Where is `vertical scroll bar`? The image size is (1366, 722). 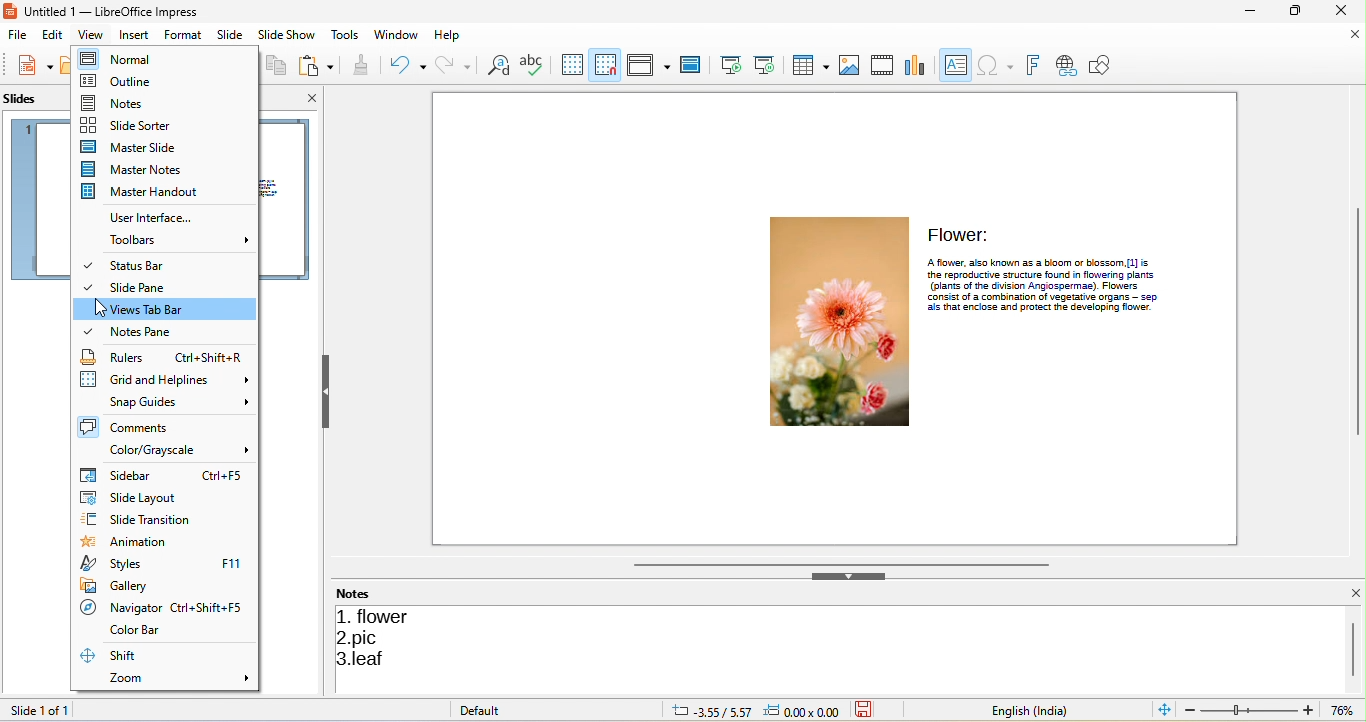
vertical scroll bar is located at coordinates (1357, 320).